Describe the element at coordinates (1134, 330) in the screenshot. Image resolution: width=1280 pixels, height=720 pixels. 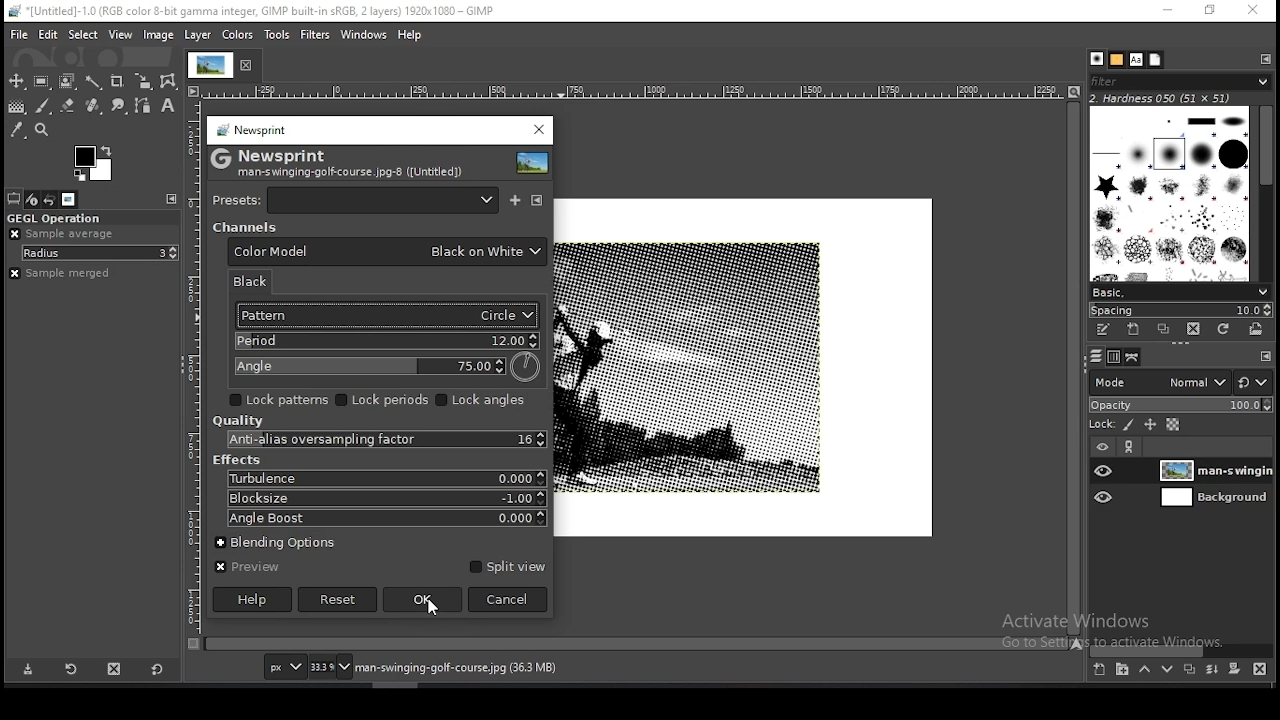
I see `create a new brush` at that location.